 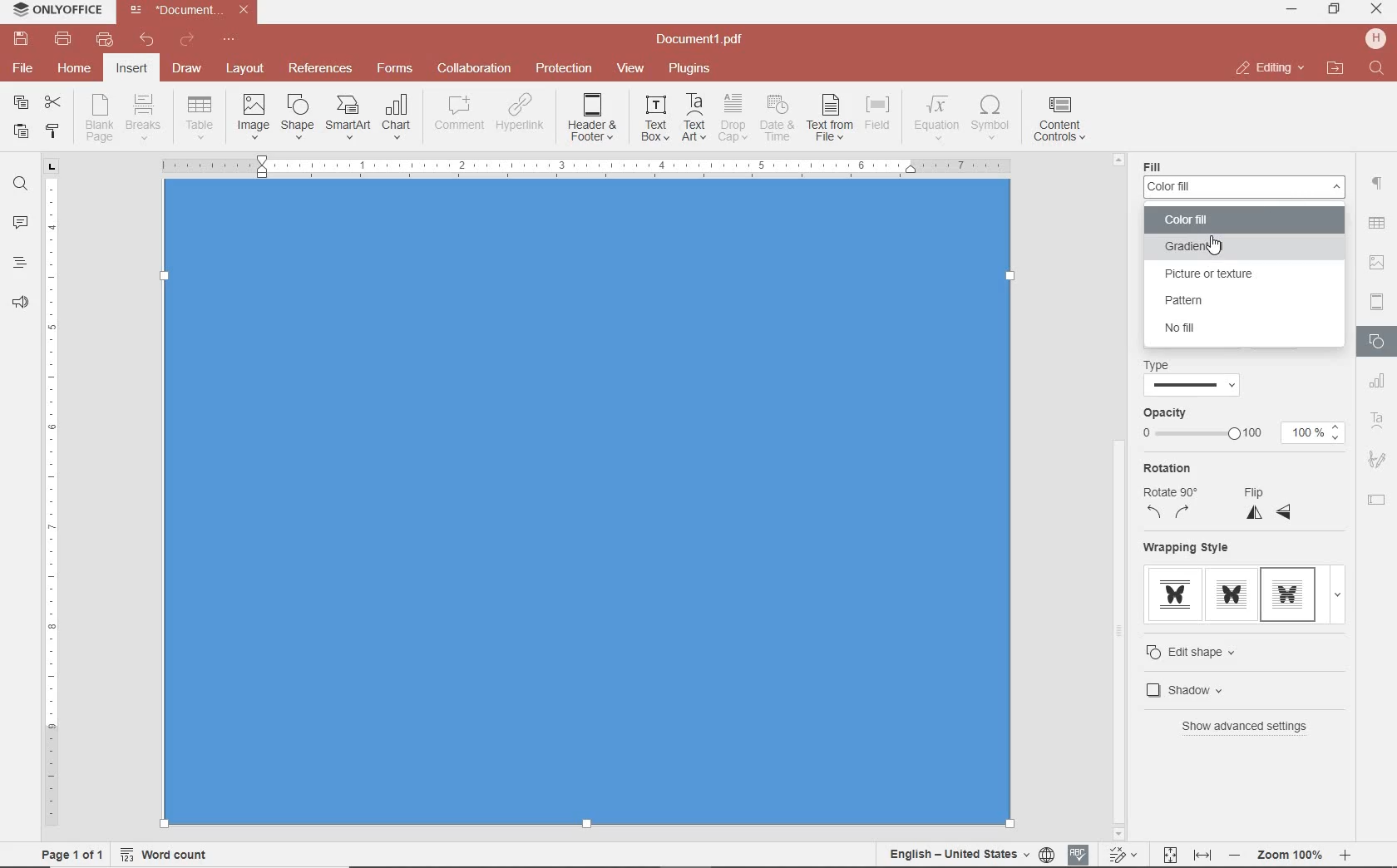 What do you see at coordinates (24, 68) in the screenshot?
I see `file` at bounding box center [24, 68].